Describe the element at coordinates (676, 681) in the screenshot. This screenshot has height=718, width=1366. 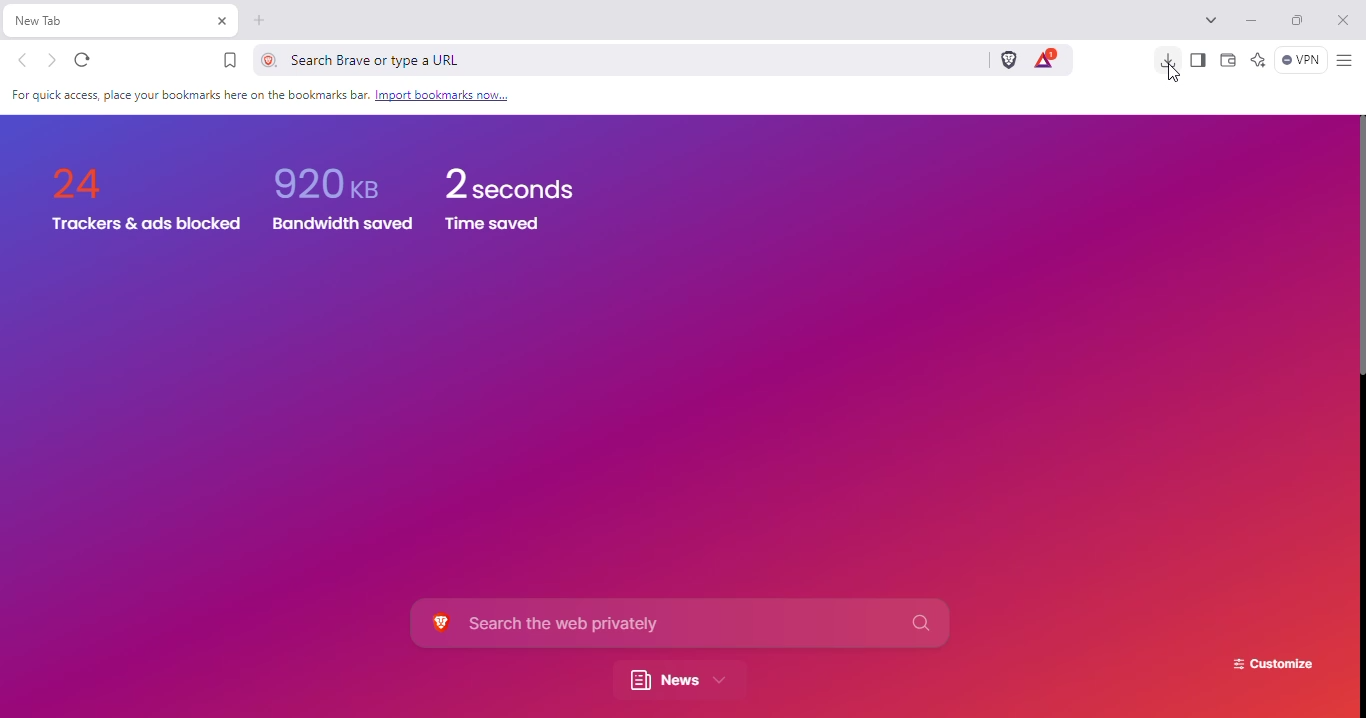
I see `news` at that location.